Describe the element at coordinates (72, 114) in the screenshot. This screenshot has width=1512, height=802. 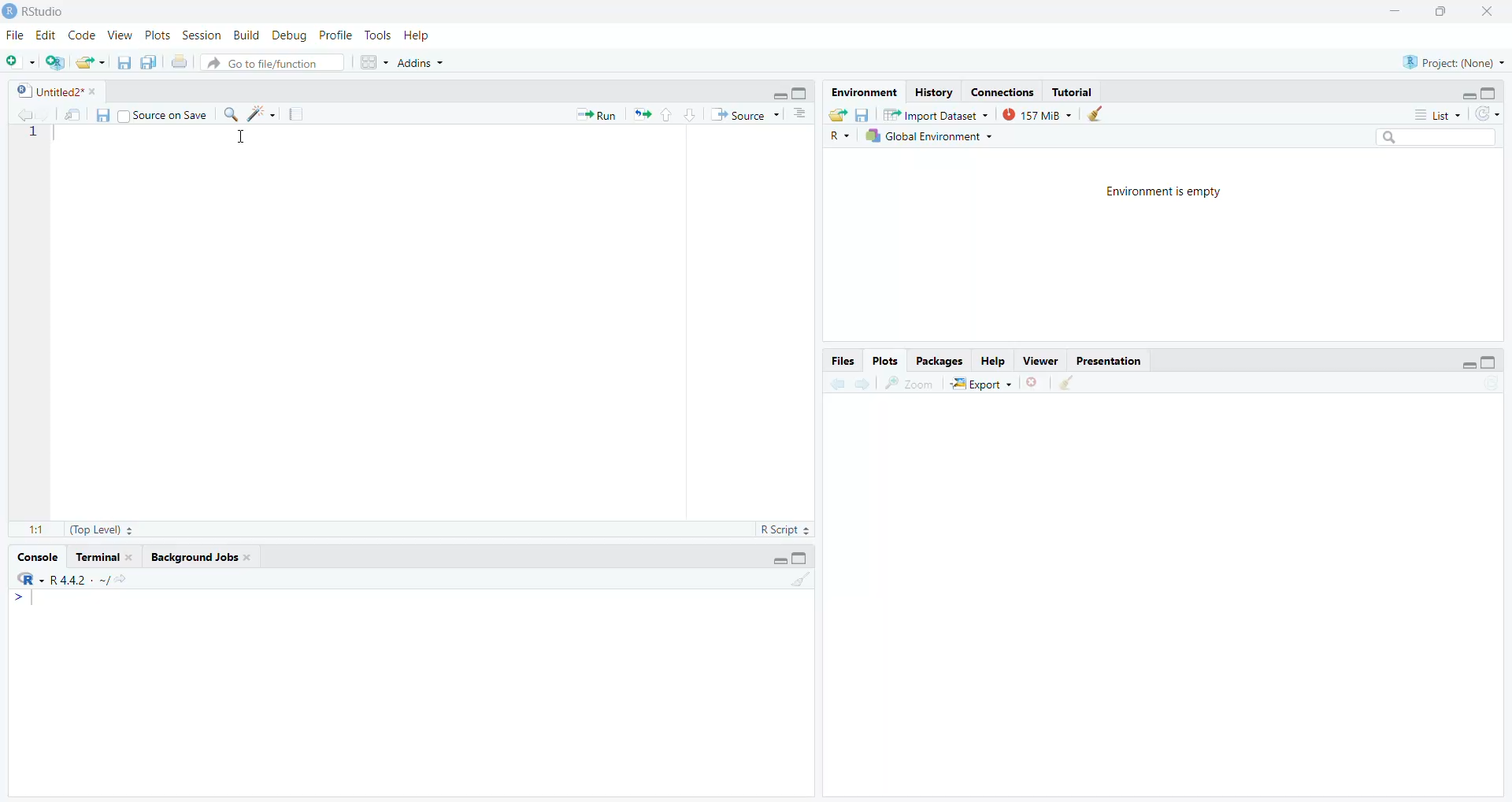
I see `show in new window` at that location.